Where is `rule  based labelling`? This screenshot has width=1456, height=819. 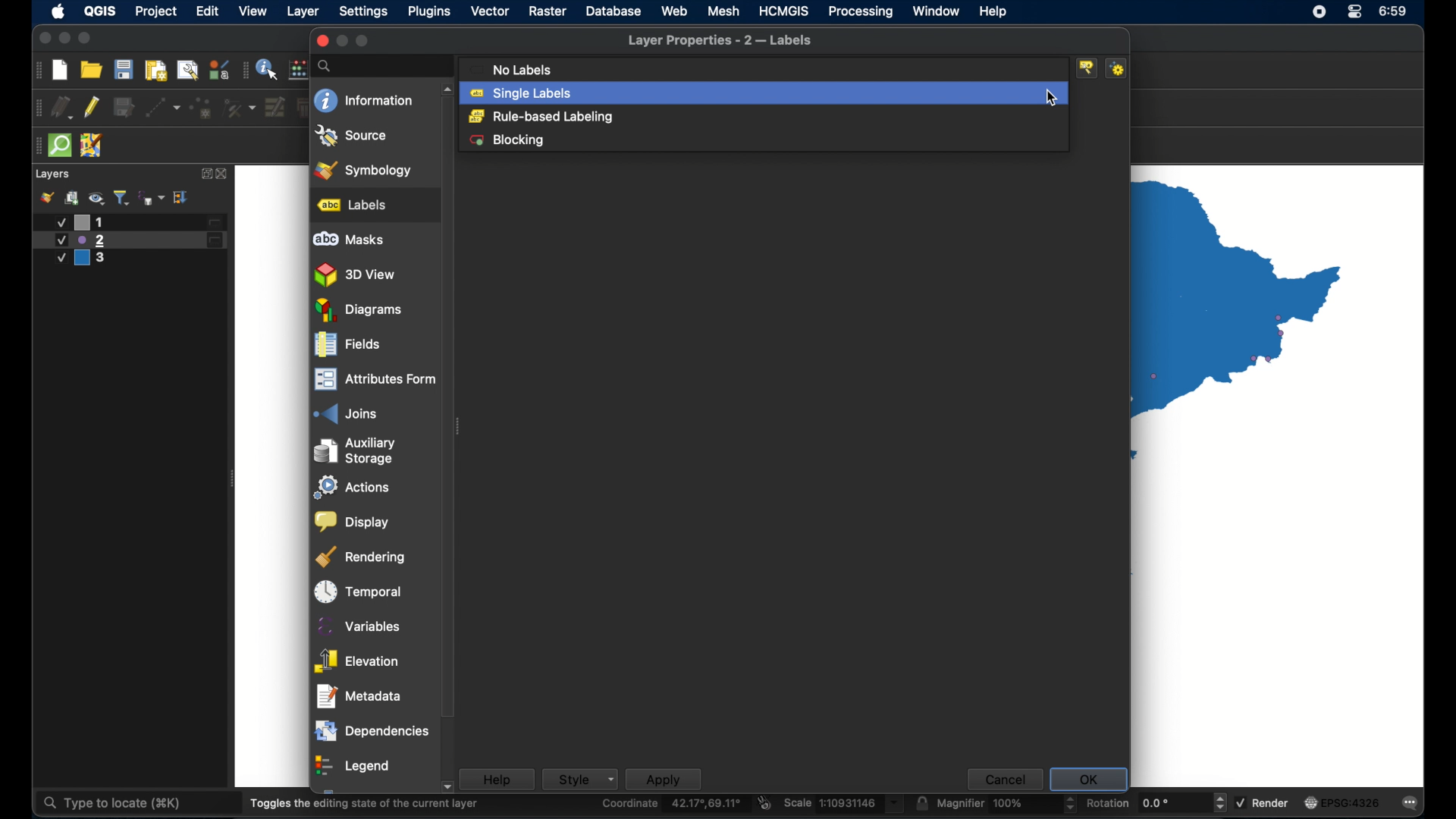 rule  based labelling is located at coordinates (541, 118).